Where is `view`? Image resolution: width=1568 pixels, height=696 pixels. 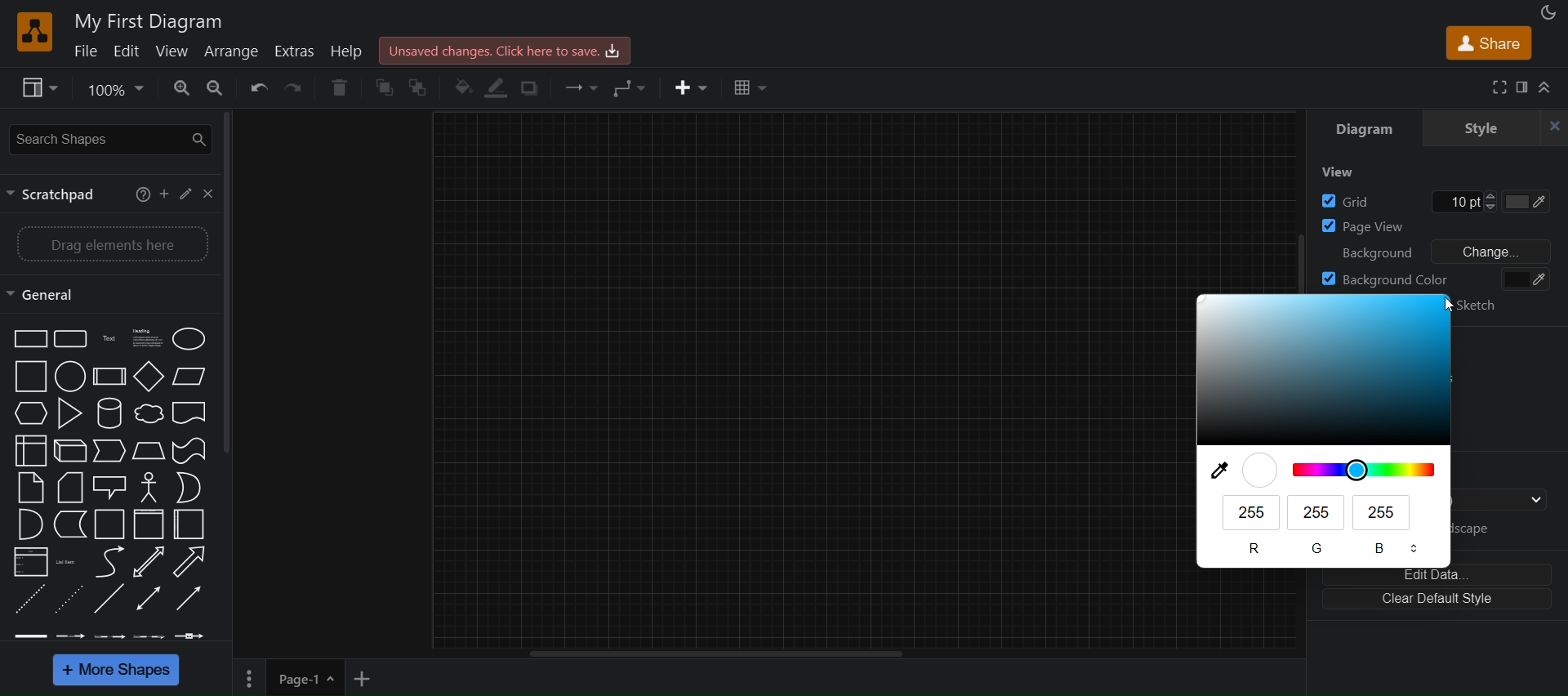 view is located at coordinates (39, 88).